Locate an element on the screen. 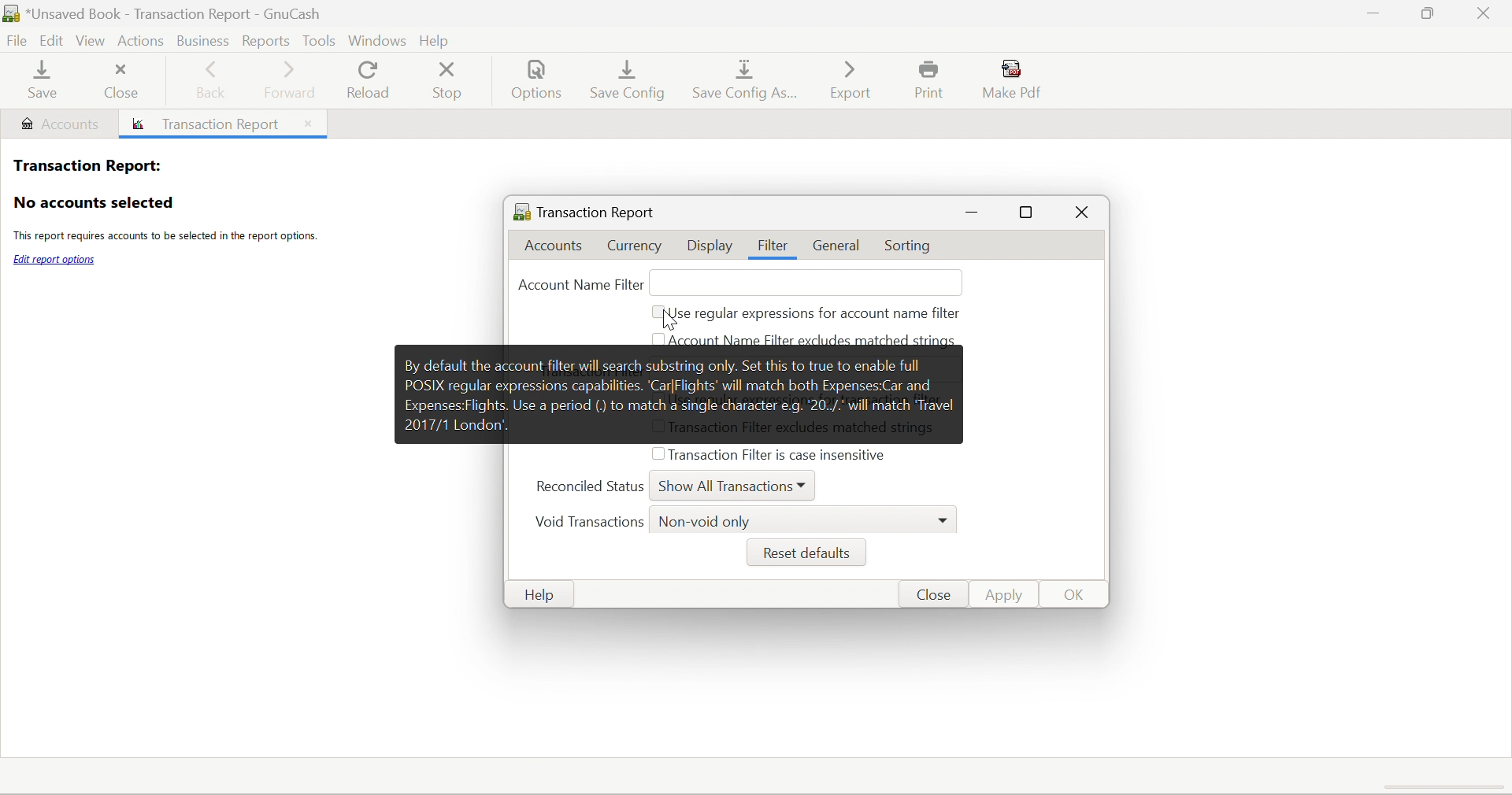 The height and width of the screenshot is (795, 1512). Save config As... is located at coordinates (748, 82).